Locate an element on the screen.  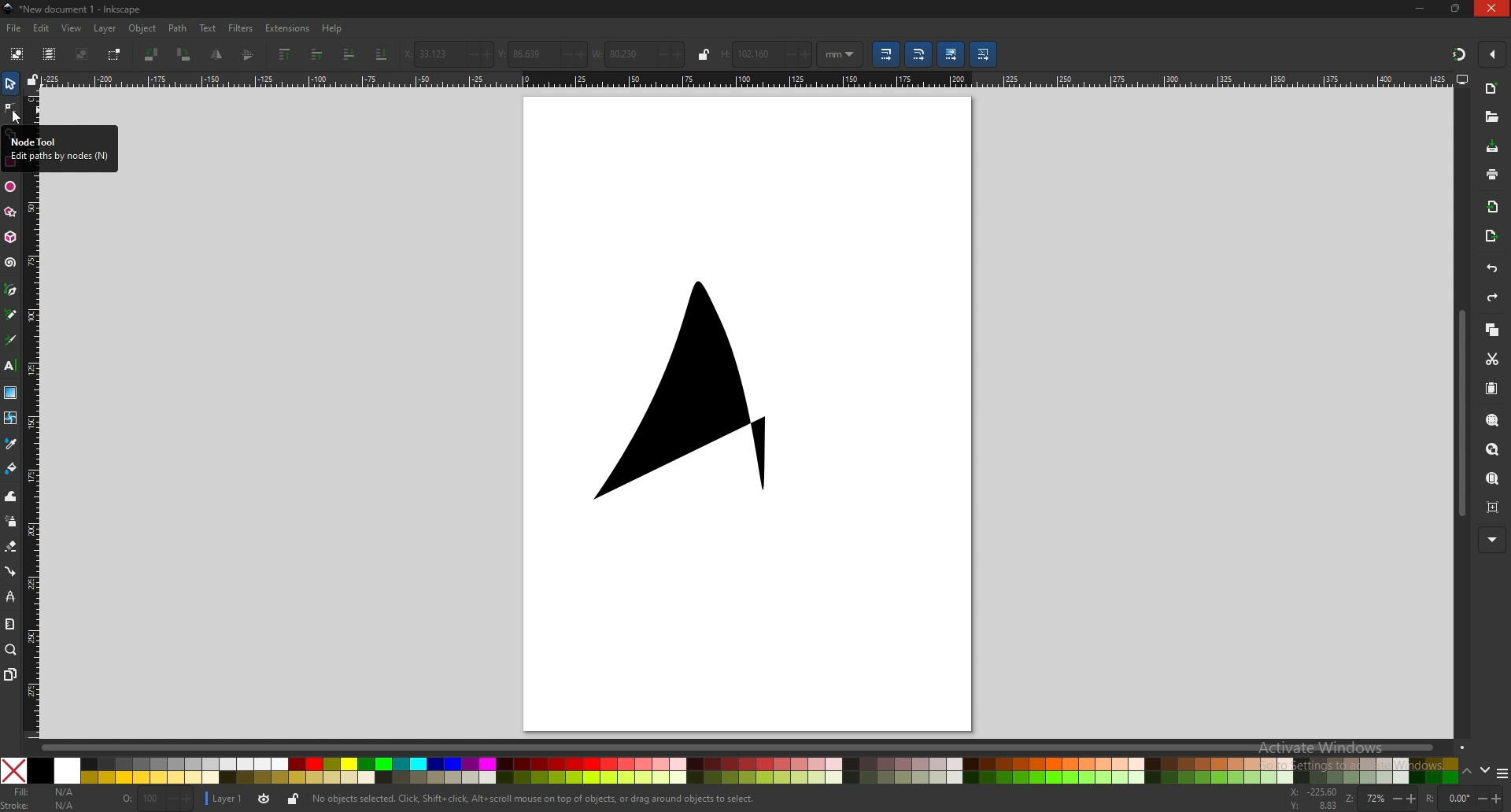
extensions is located at coordinates (288, 29).